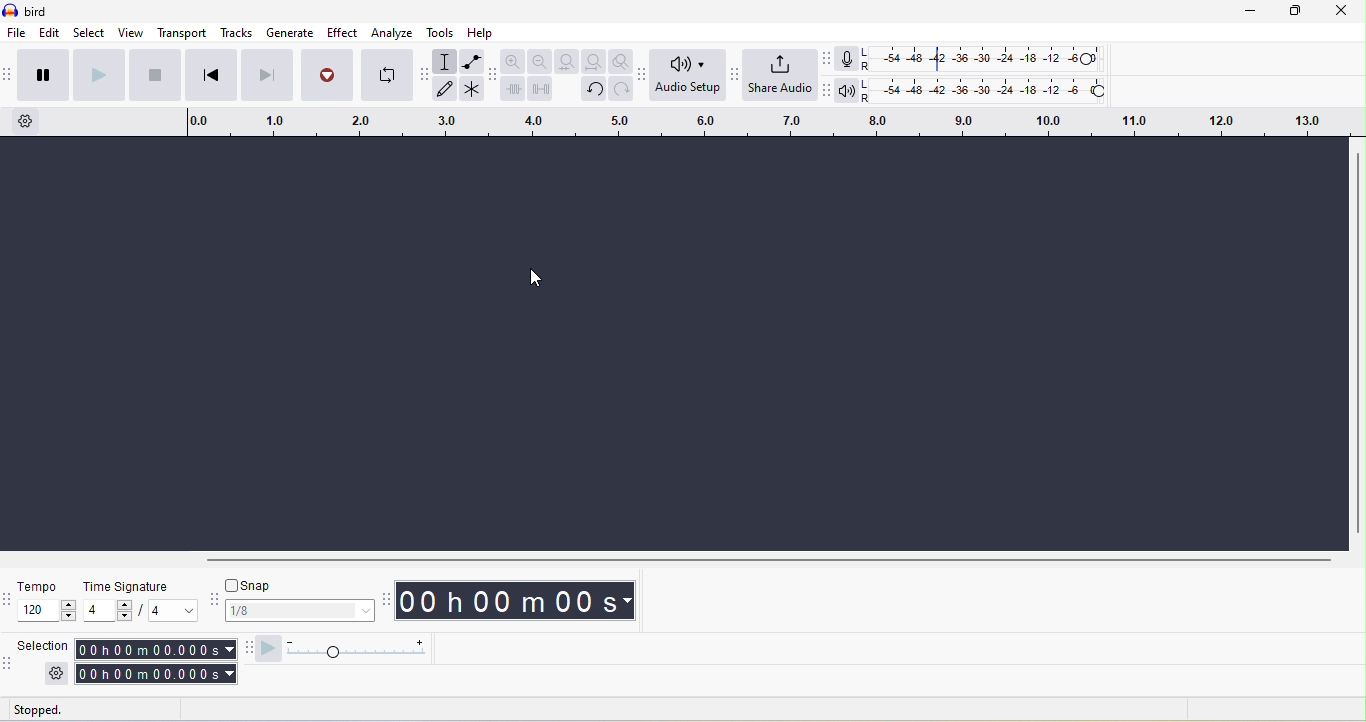 This screenshot has height=722, width=1366. I want to click on stopped, so click(50, 710).